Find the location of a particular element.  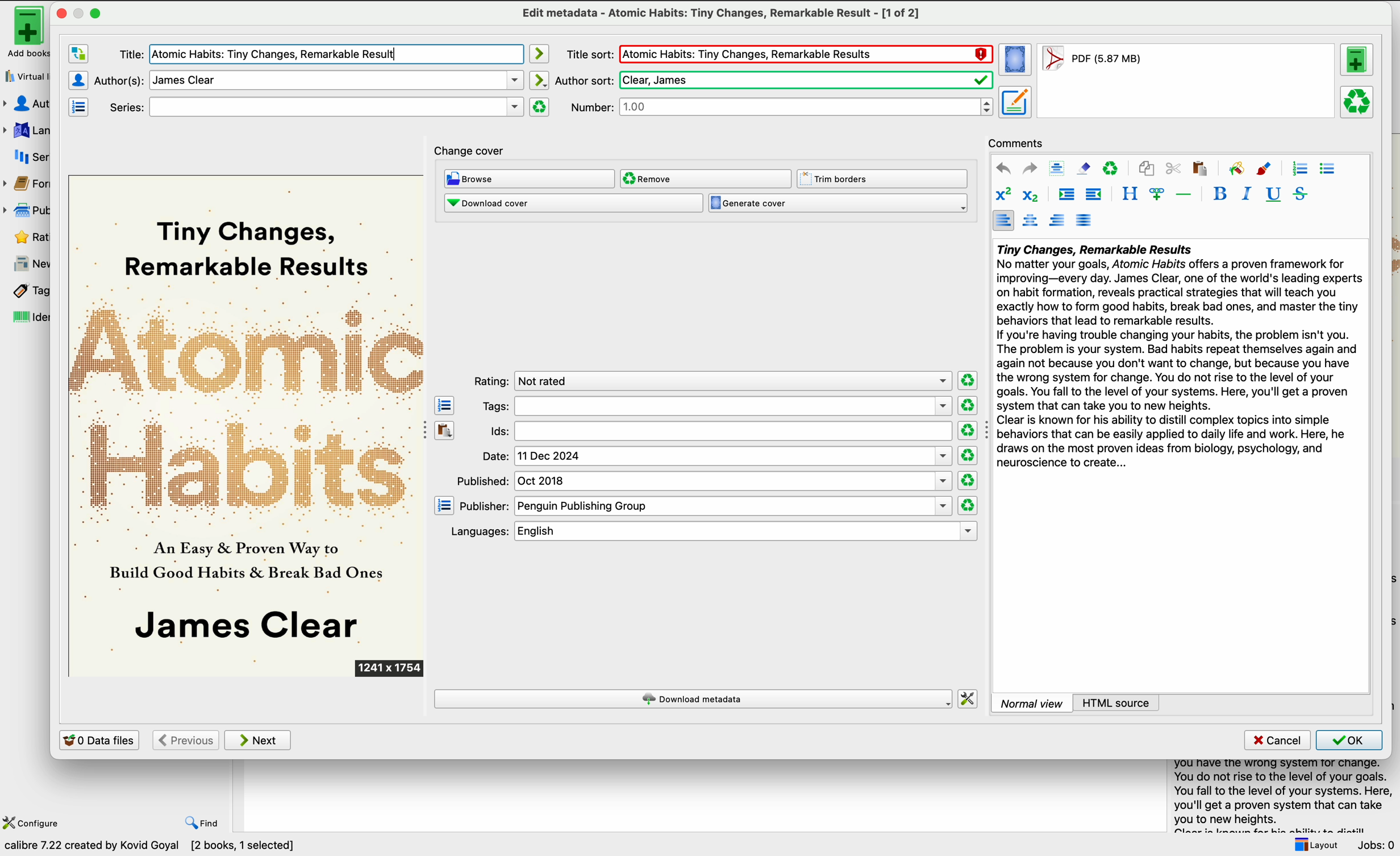

clear series is located at coordinates (540, 107).